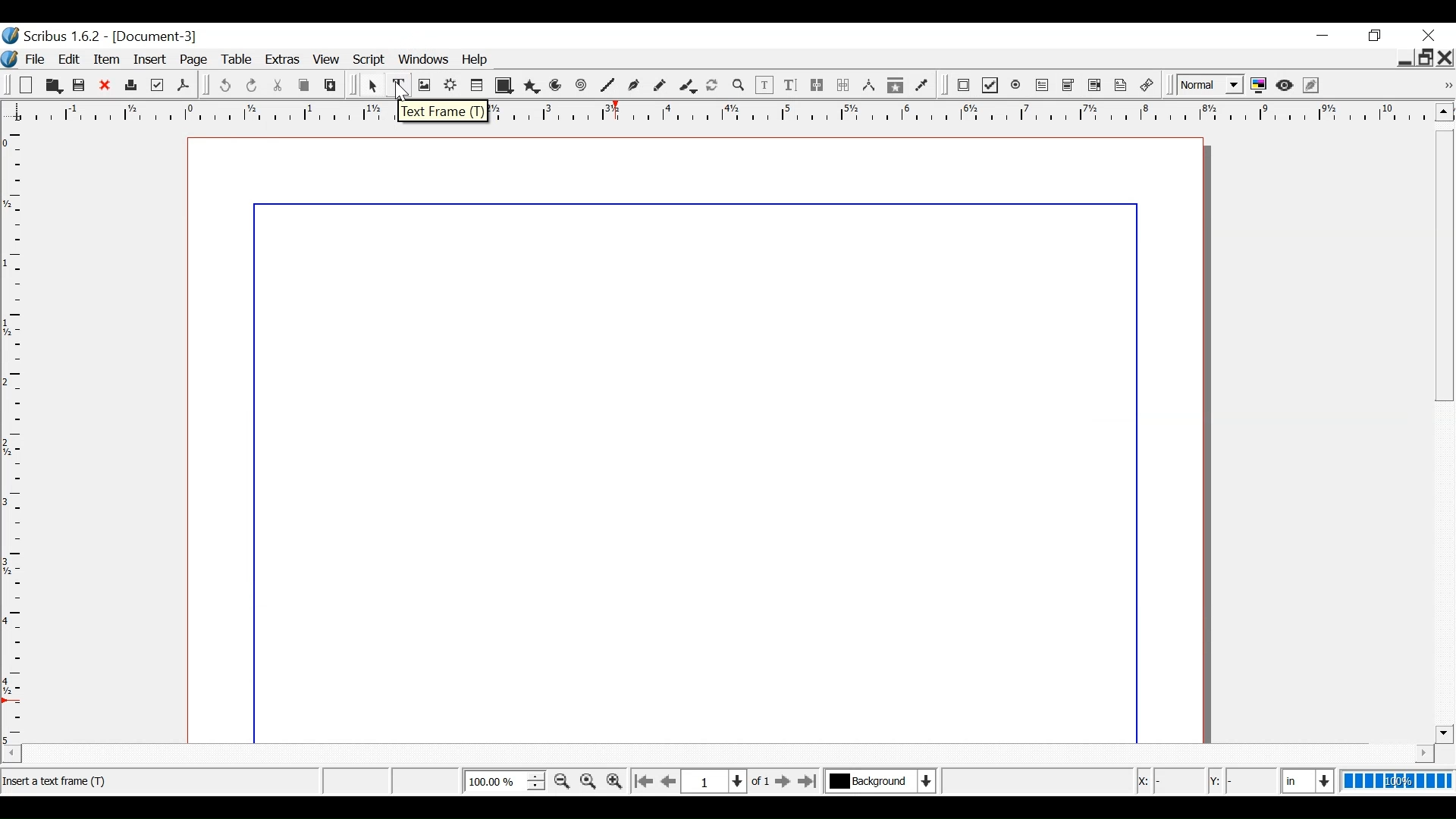 The height and width of the screenshot is (819, 1456). I want to click on Reset Zoom, so click(589, 780).